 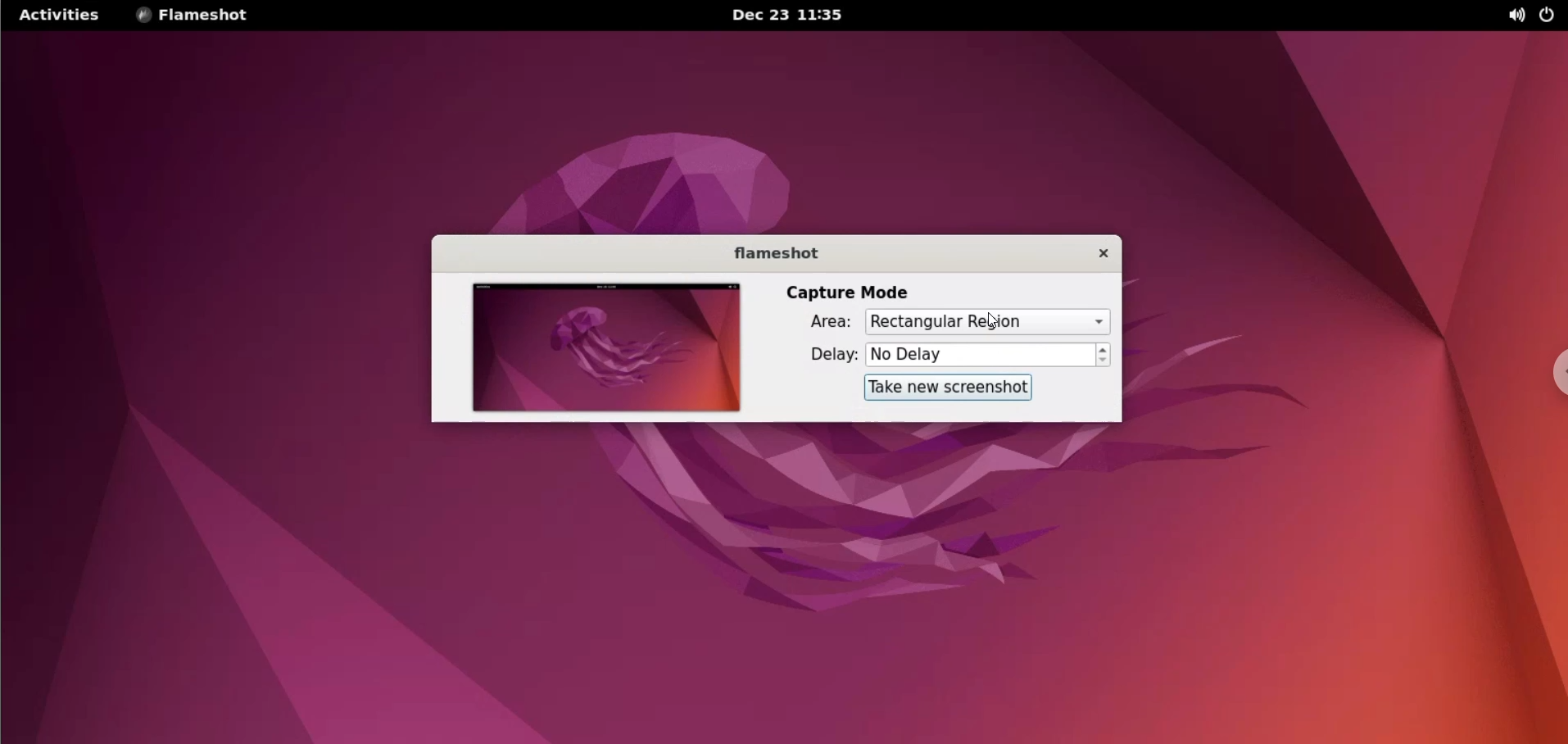 I want to click on activities, so click(x=59, y=15).